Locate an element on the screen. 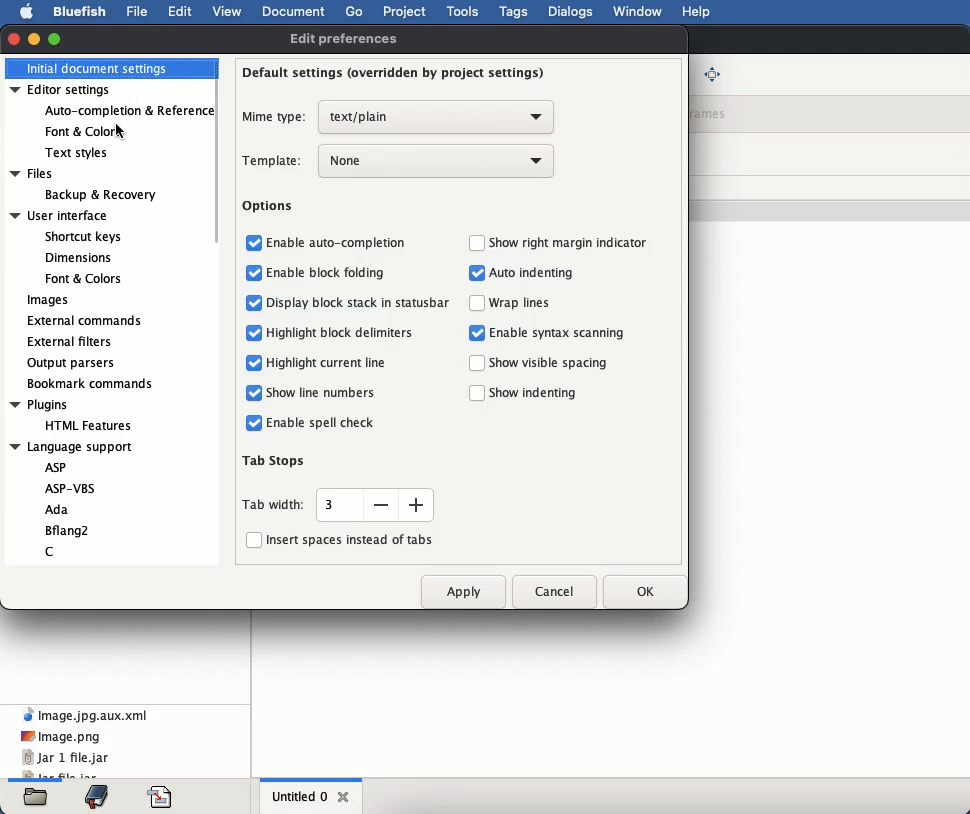 The image size is (970, 814). apply is located at coordinates (469, 593).